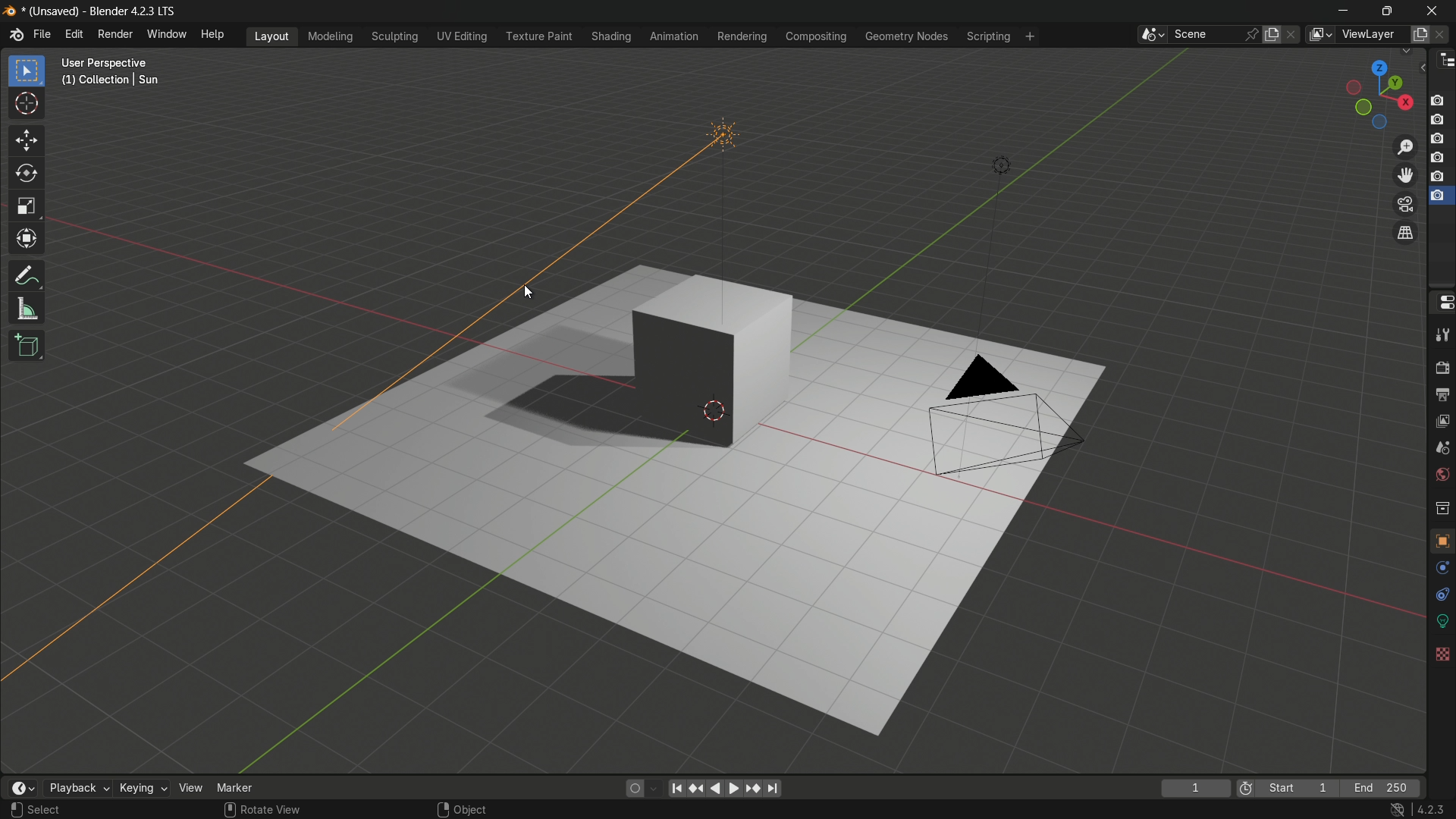 This screenshot has height=819, width=1456. Describe the element at coordinates (189, 787) in the screenshot. I see `view` at that location.